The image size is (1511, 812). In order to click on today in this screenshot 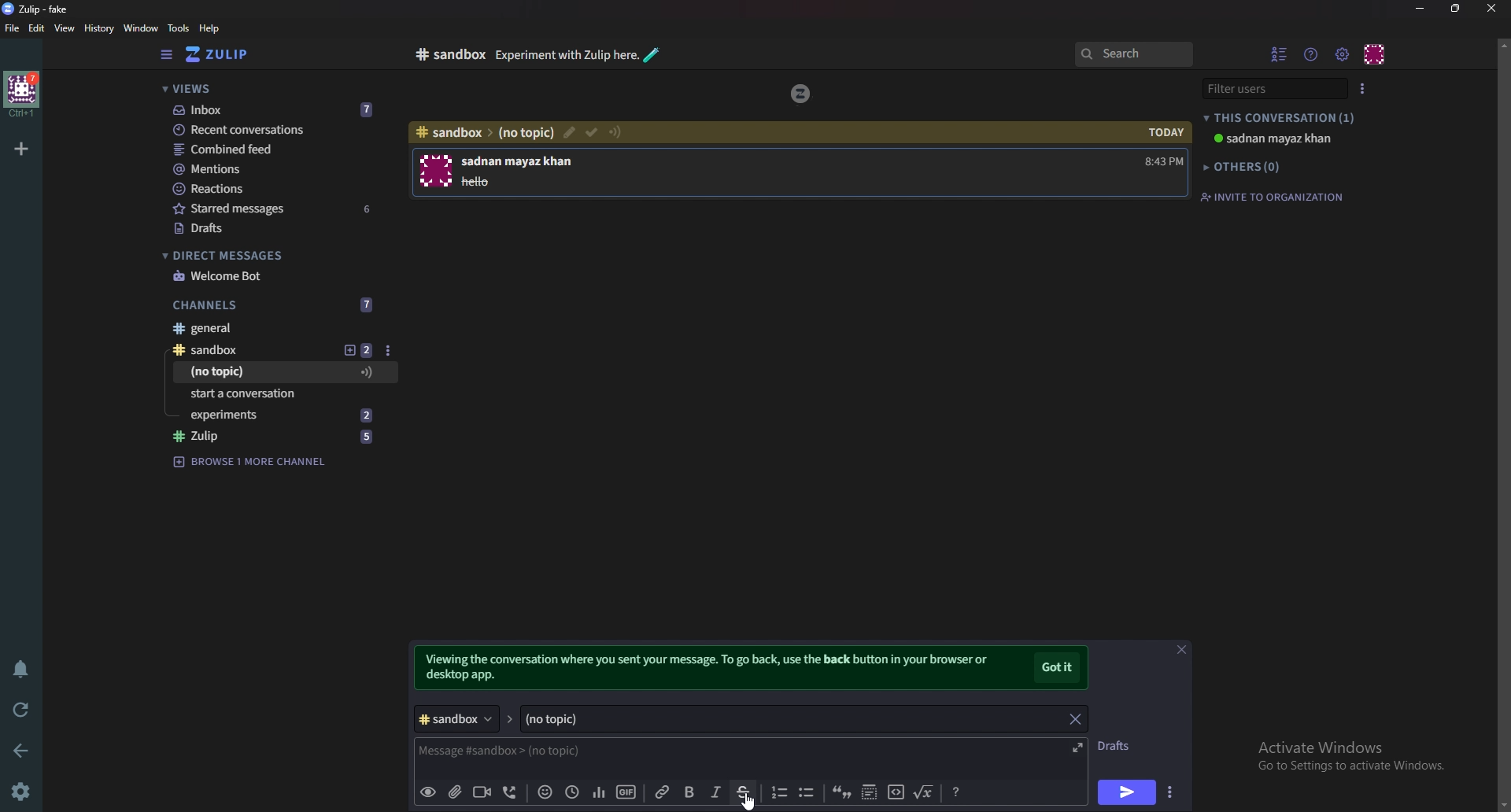, I will do `click(1166, 134)`.